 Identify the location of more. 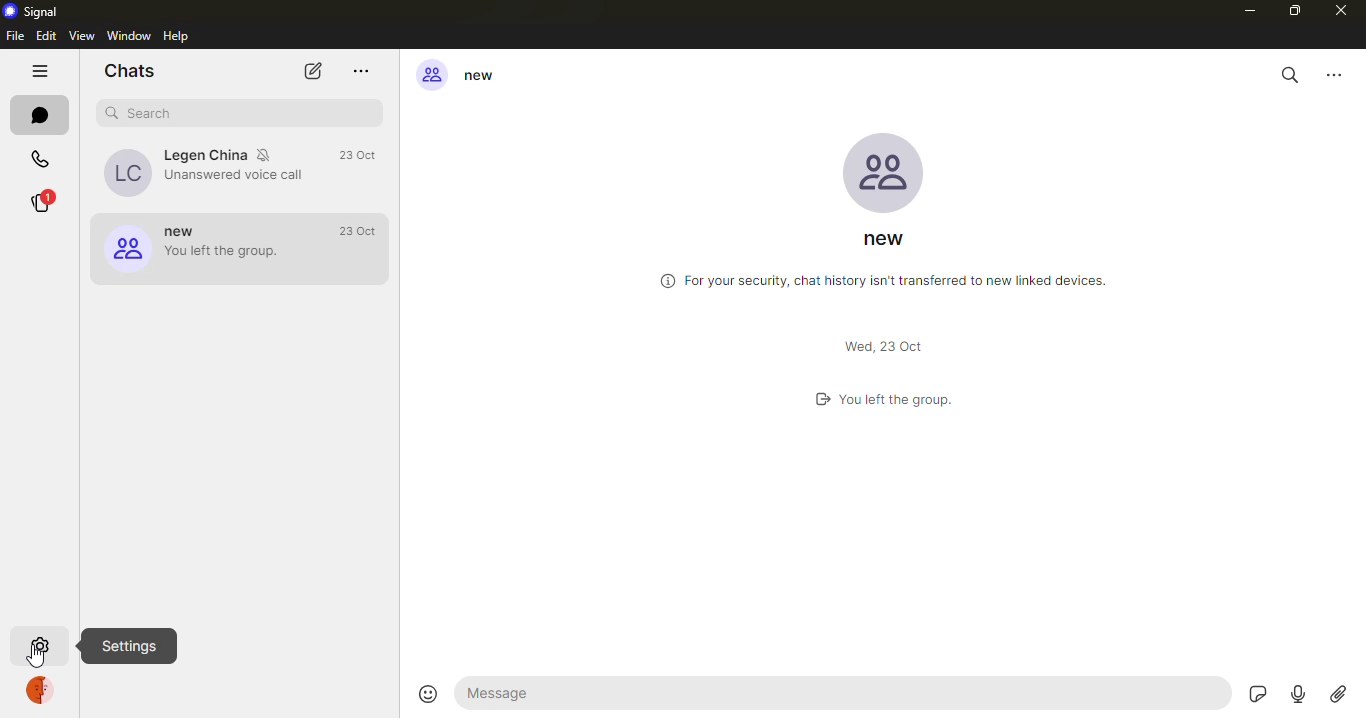
(1335, 75).